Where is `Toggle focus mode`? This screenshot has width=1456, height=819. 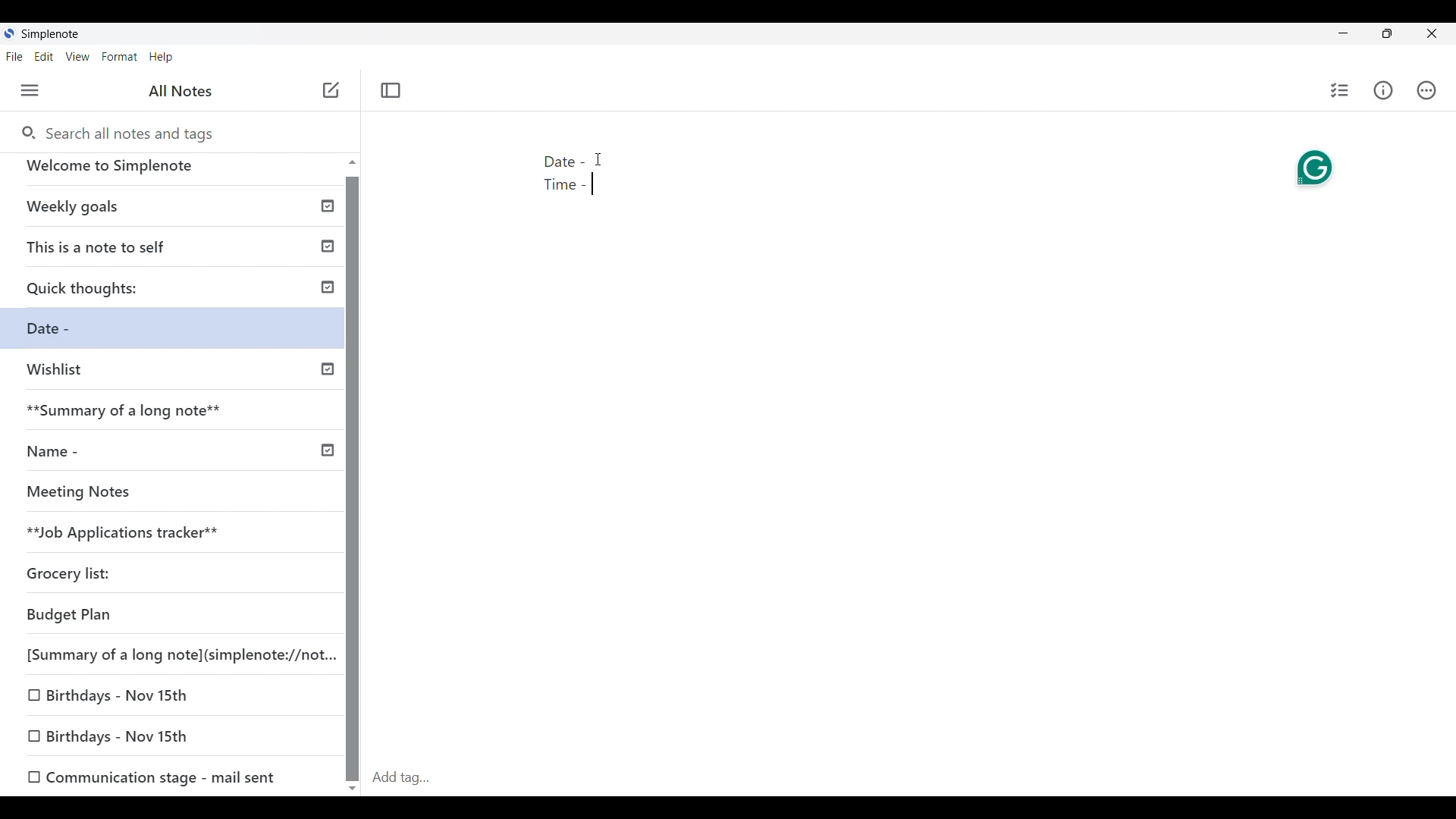
Toggle focus mode is located at coordinates (391, 91).